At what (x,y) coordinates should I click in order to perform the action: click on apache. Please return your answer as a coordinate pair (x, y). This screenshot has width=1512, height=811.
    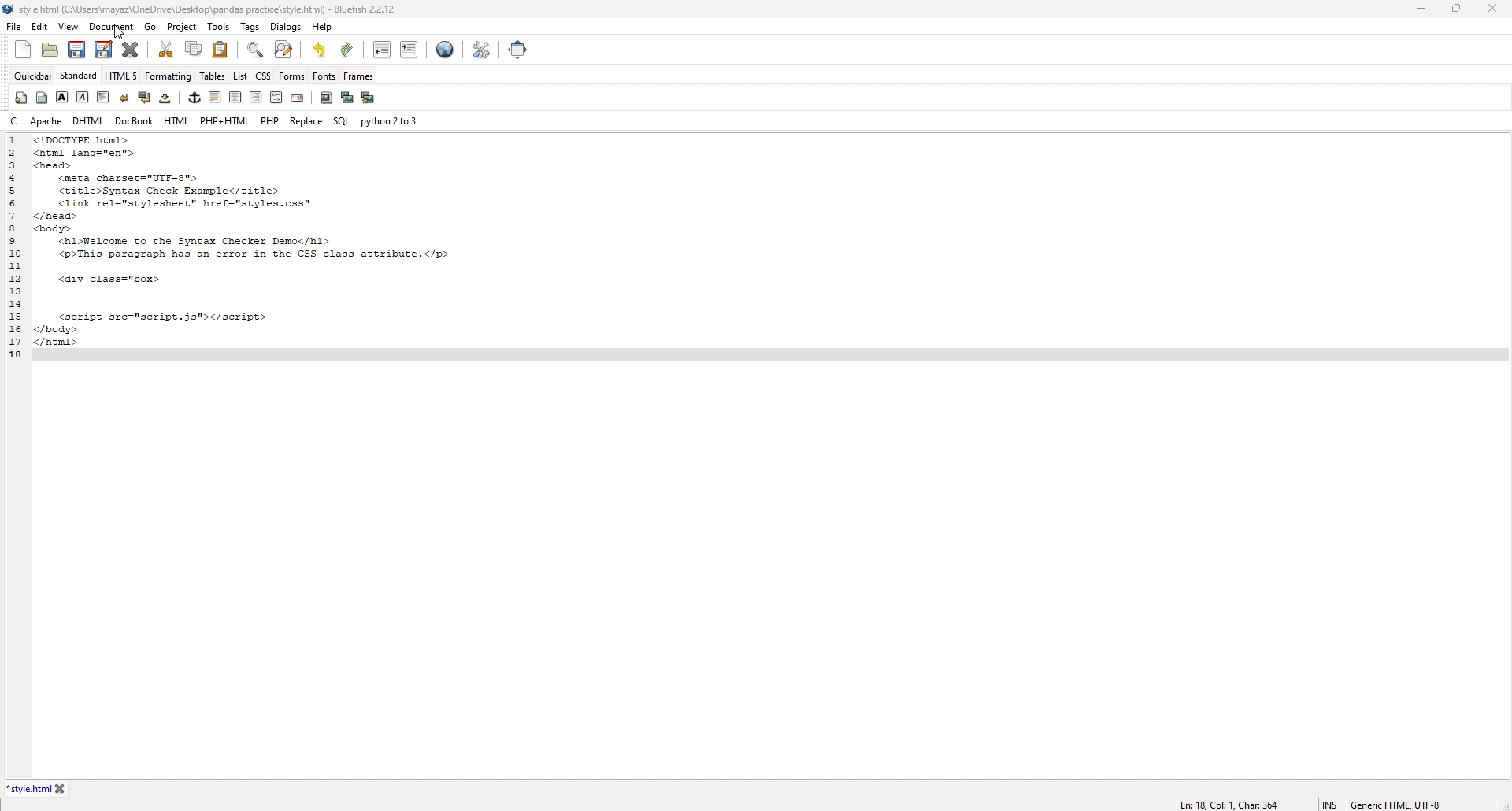
    Looking at the image, I should click on (47, 120).